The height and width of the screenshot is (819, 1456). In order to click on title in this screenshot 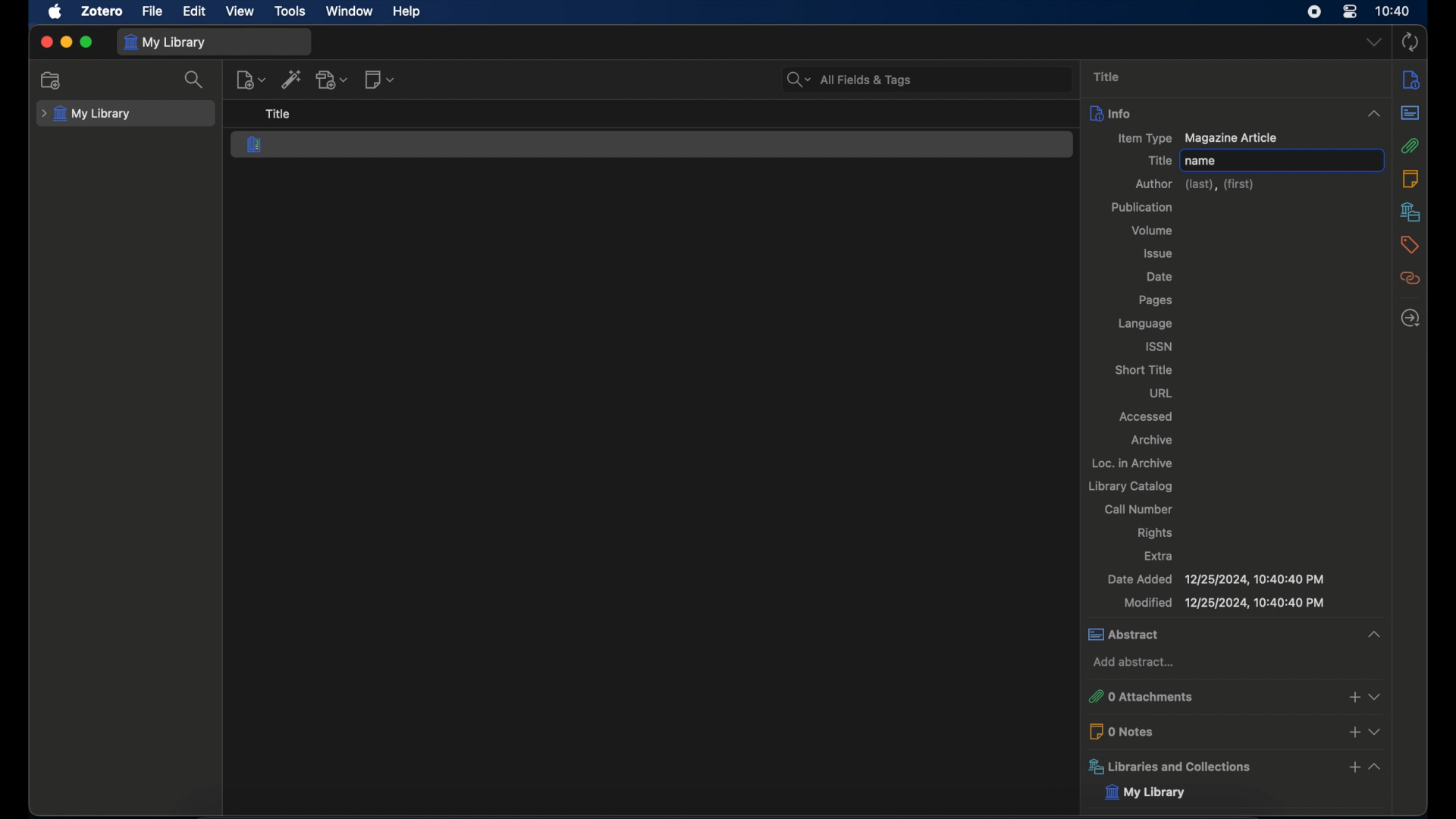, I will do `click(1109, 77)`.